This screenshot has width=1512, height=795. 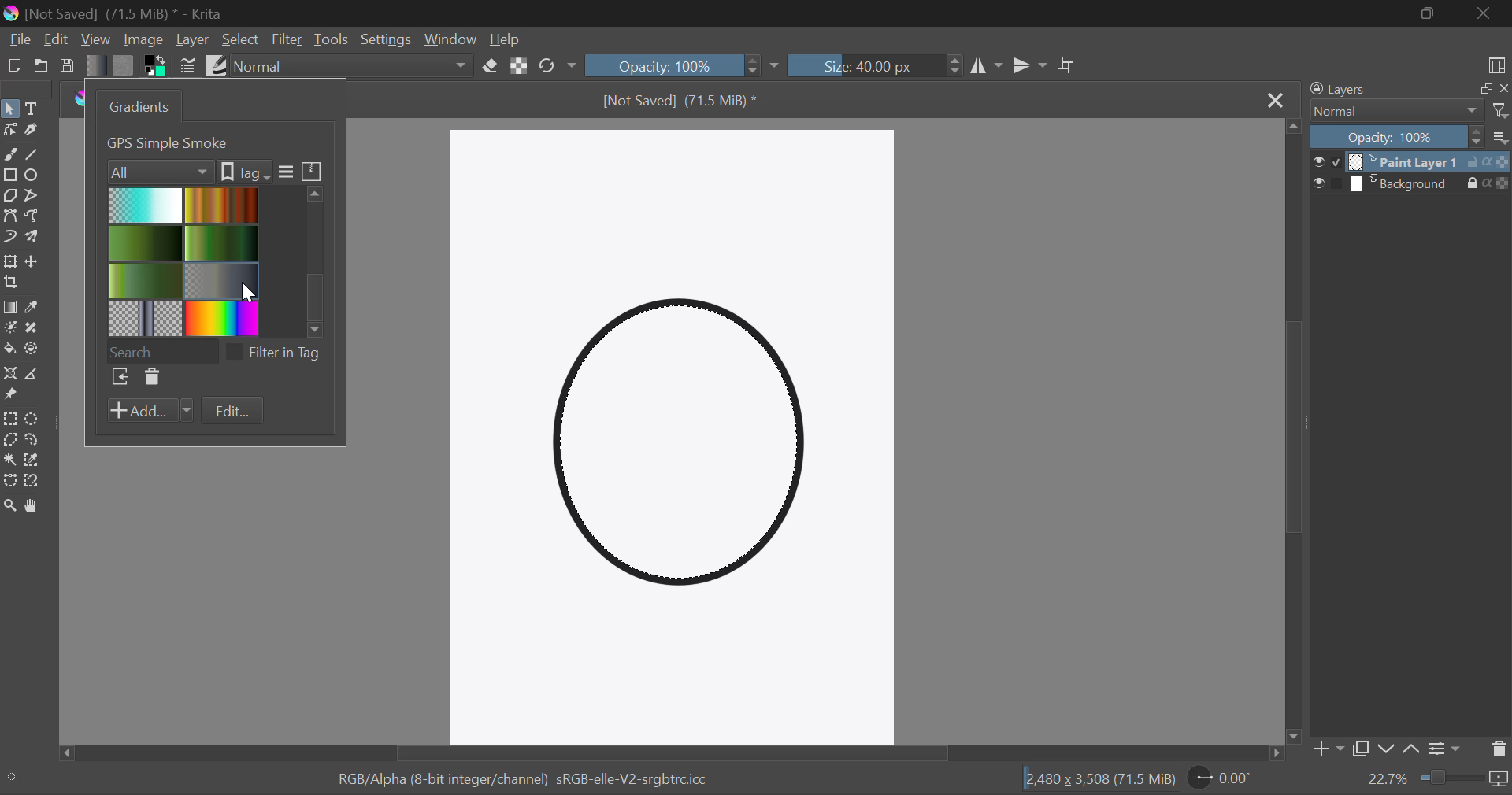 I want to click on Horizontal Mirror Flip, so click(x=1032, y=68).